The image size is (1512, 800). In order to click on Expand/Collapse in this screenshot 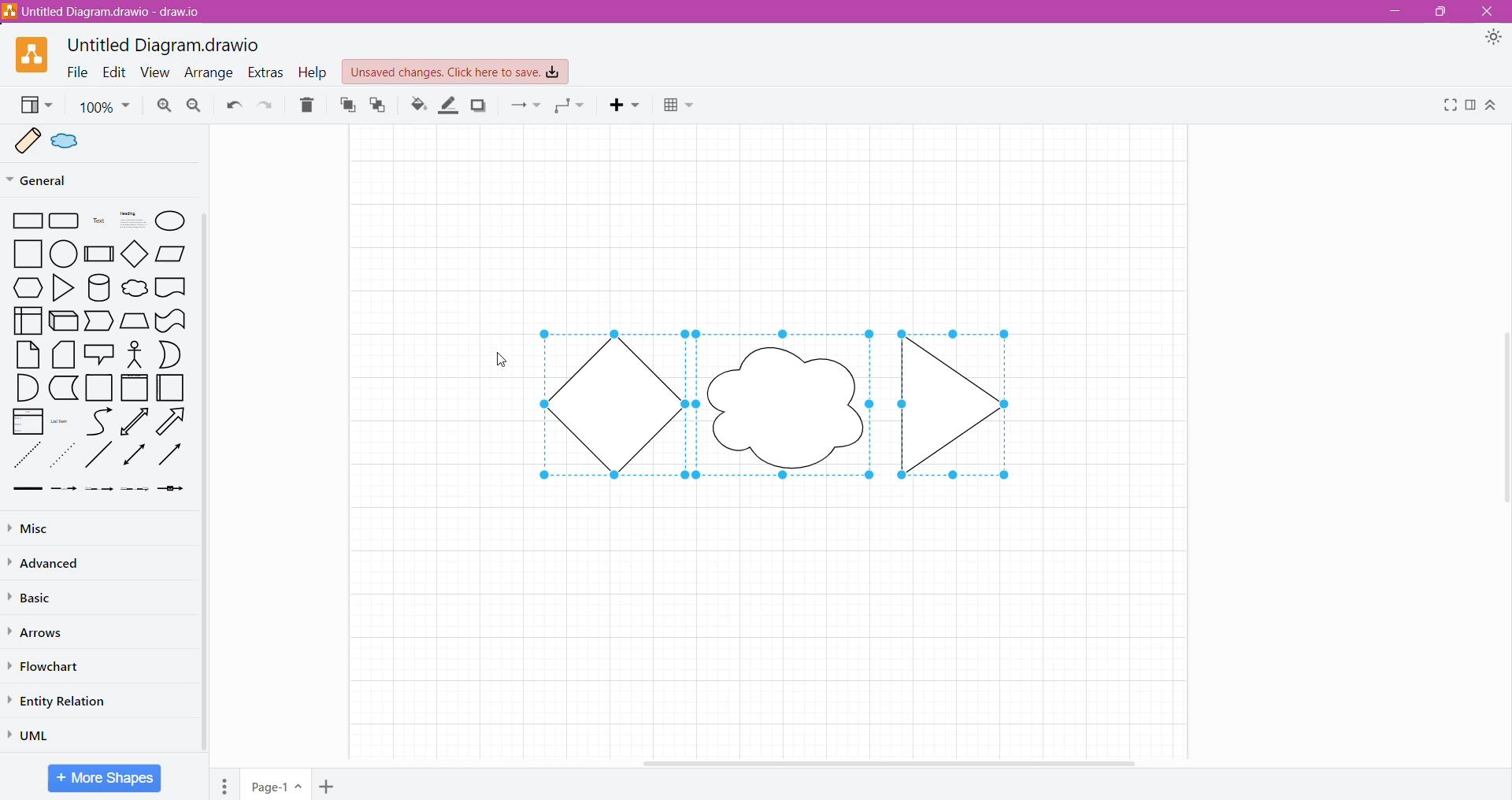, I will do `click(1491, 107)`.